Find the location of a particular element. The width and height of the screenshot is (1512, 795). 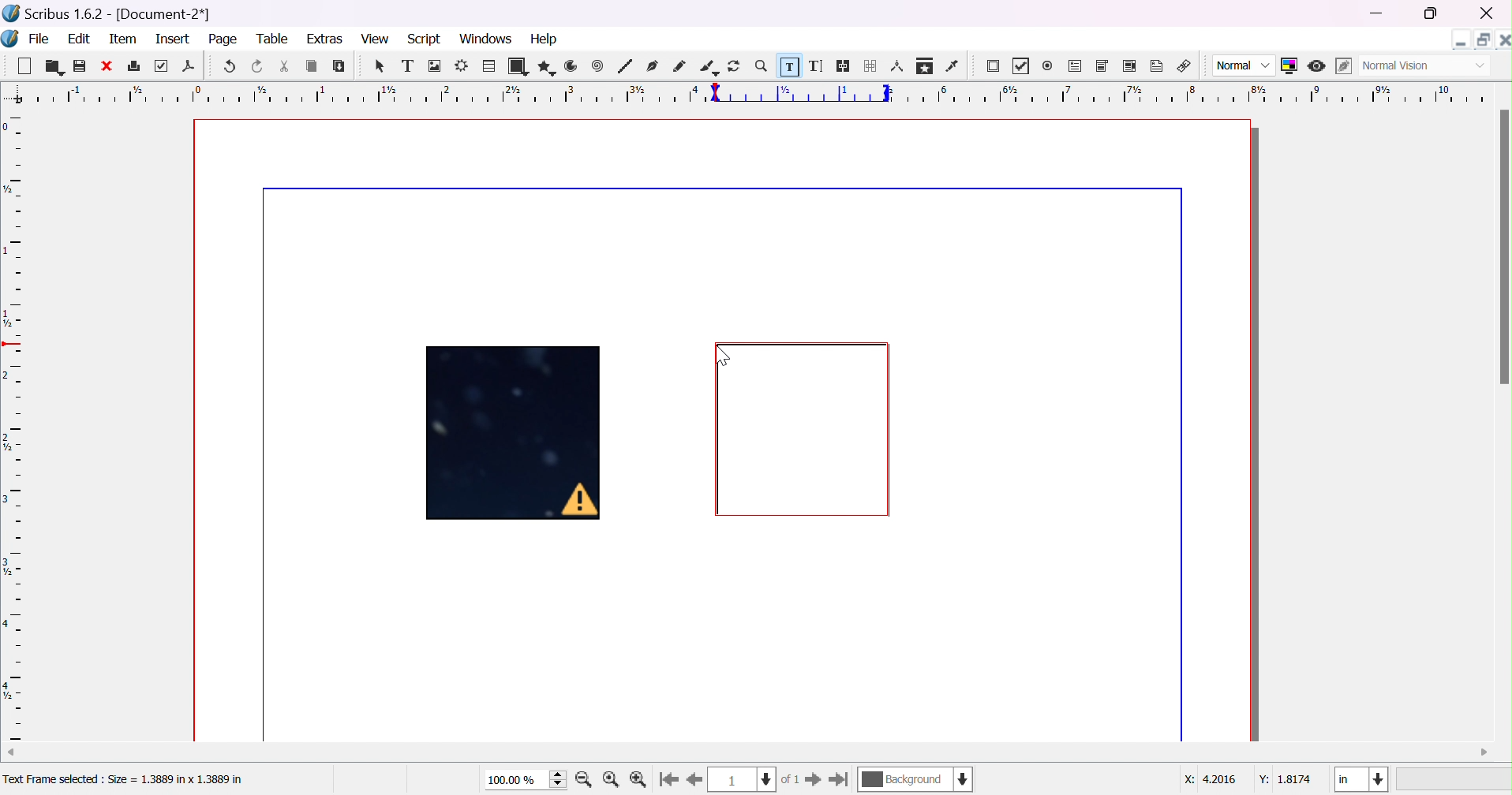

scribus 1.6.2 - [Document-2*] is located at coordinates (108, 14).